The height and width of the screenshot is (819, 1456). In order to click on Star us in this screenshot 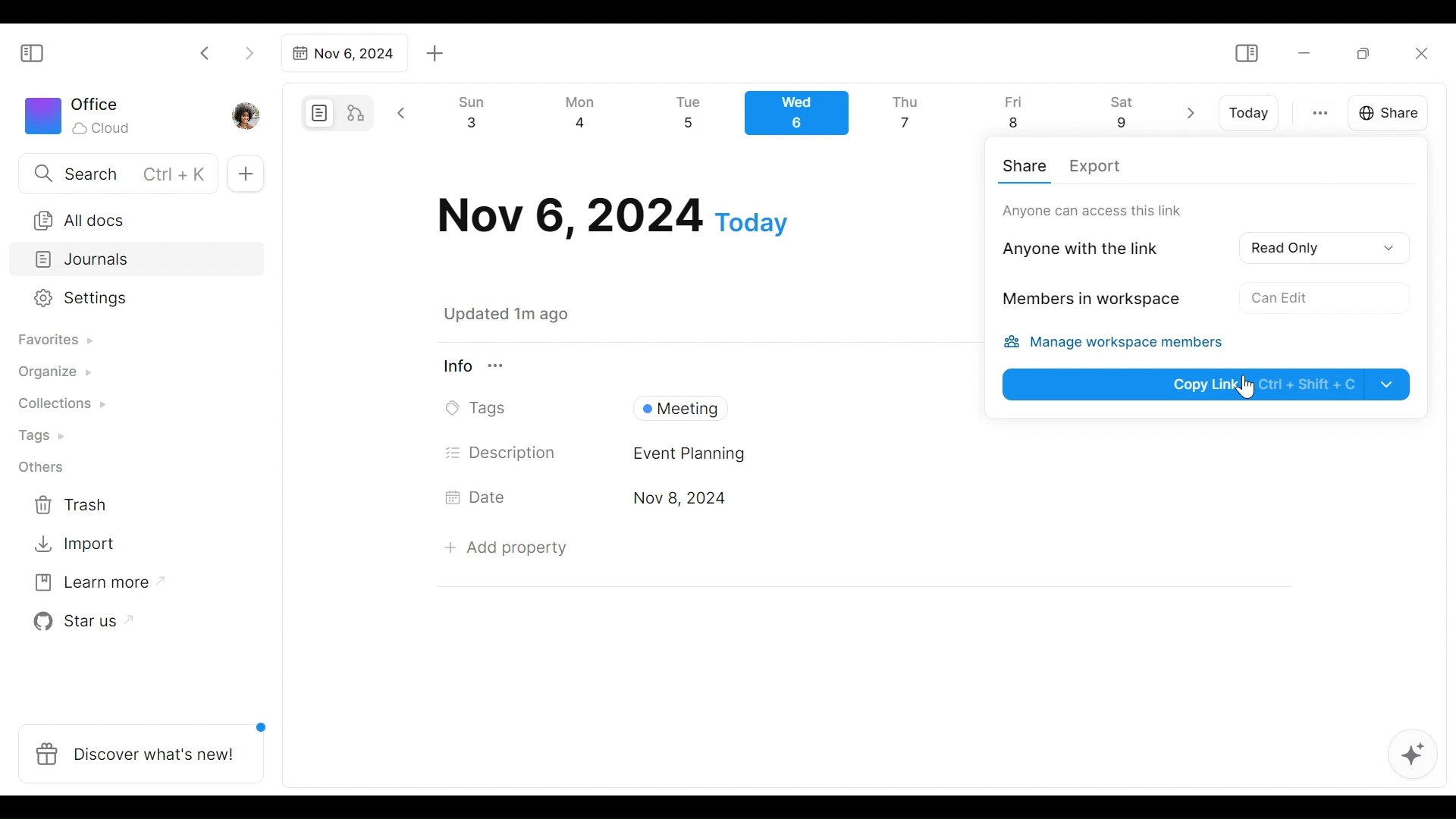, I will do `click(79, 622)`.